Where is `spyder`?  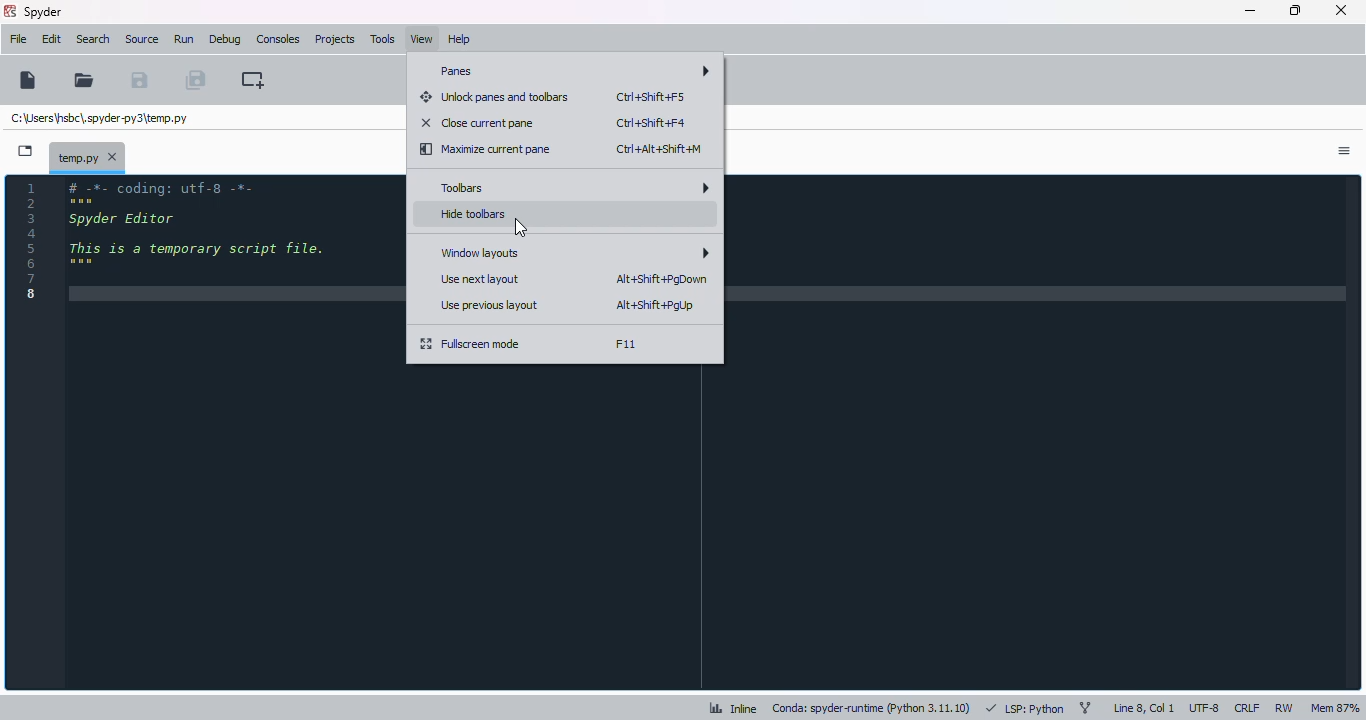
spyder is located at coordinates (43, 12).